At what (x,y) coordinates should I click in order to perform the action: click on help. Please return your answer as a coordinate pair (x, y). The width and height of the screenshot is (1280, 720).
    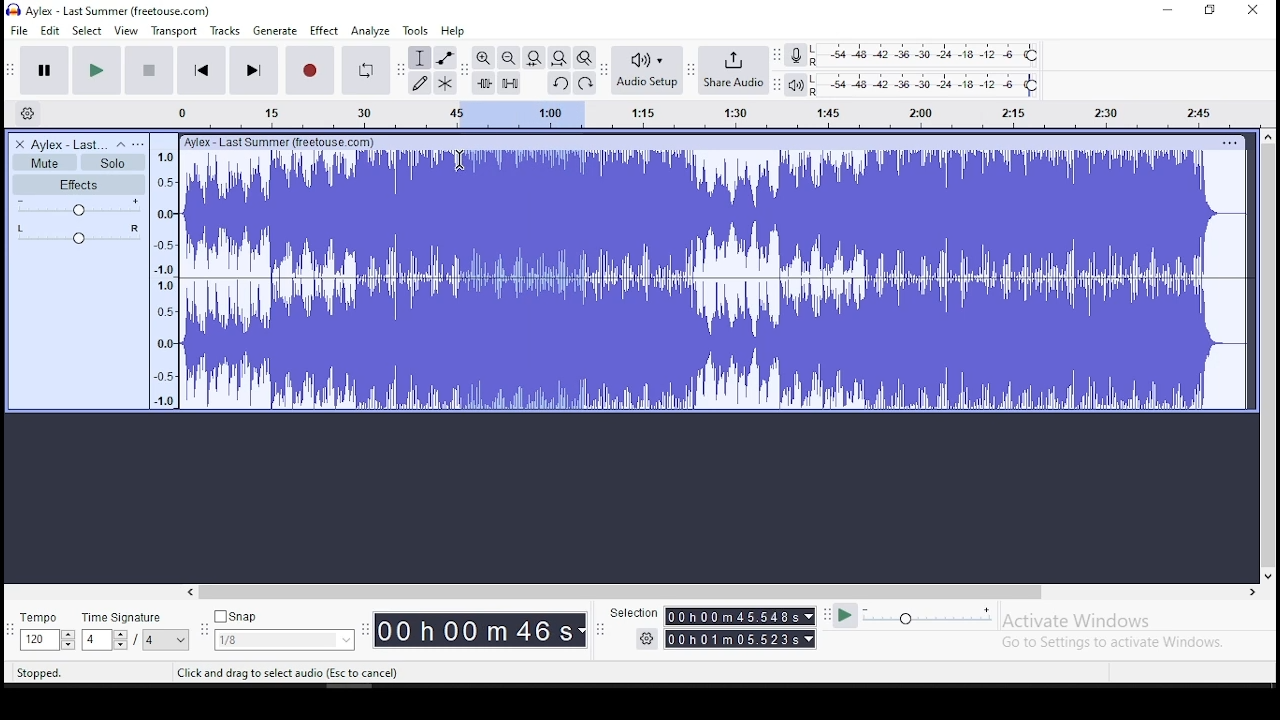
    Looking at the image, I should click on (452, 31).